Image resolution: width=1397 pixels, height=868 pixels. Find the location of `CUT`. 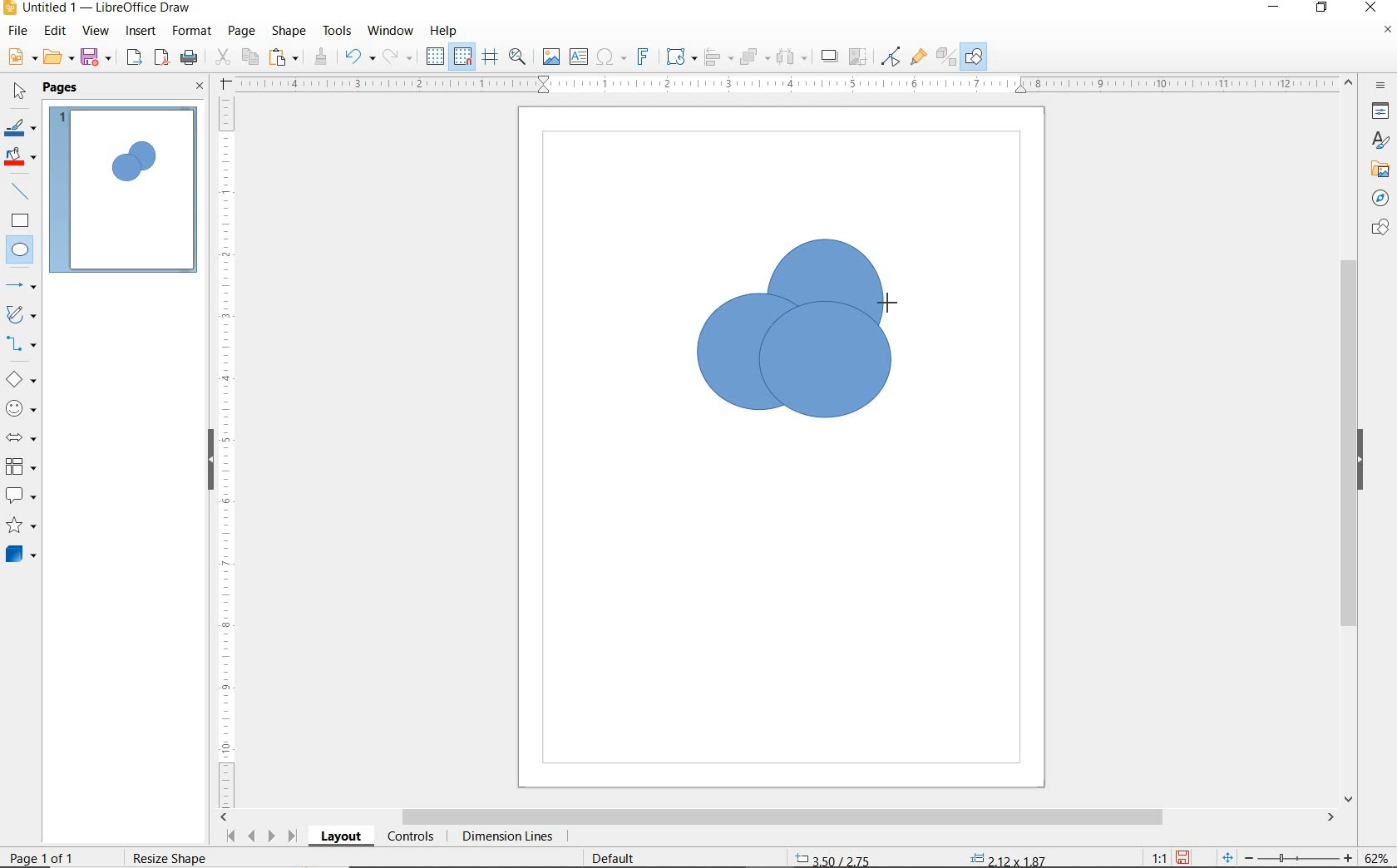

CUT is located at coordinates (223, 57).